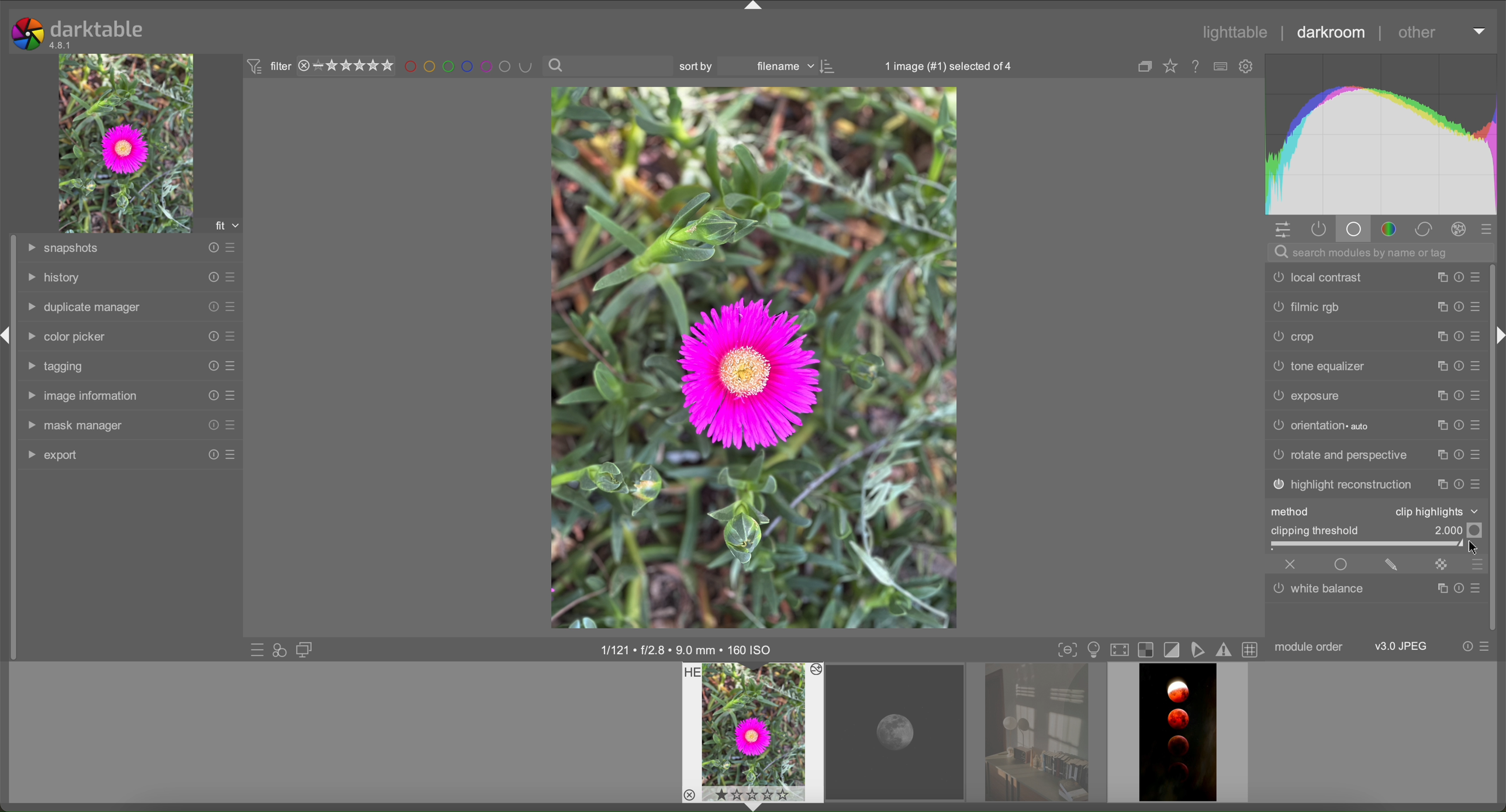  I want to click on effects, so click(1458, 228).